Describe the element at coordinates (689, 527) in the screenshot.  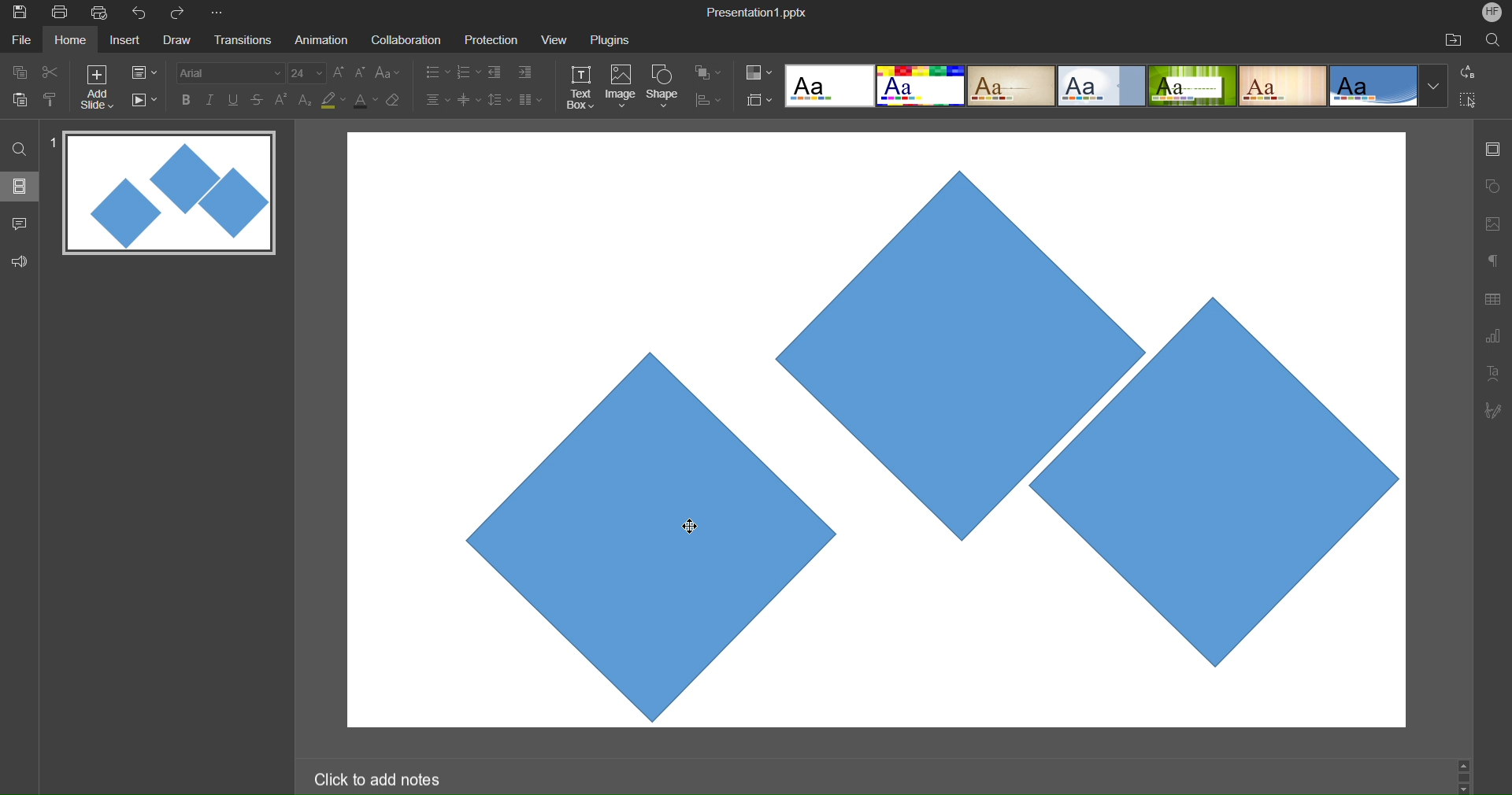
I see `Cursor` at that location.